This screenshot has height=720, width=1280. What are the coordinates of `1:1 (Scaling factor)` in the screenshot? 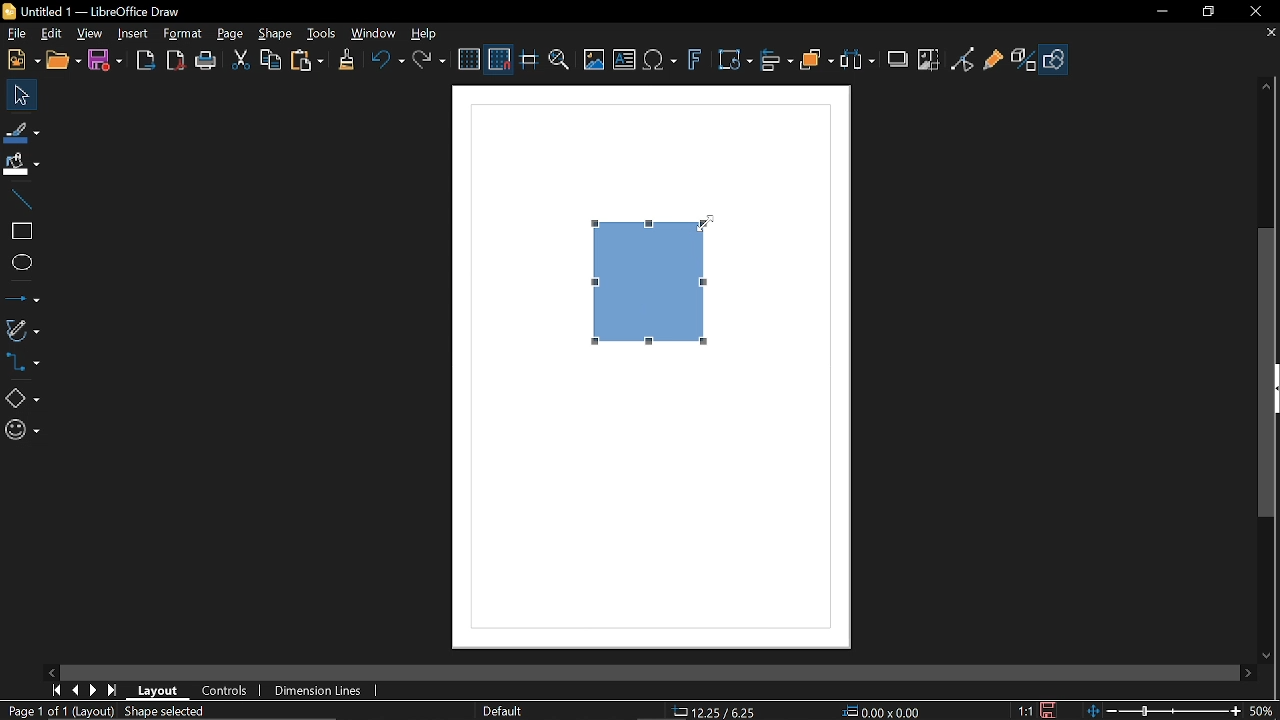 It's located at (1022, 710).